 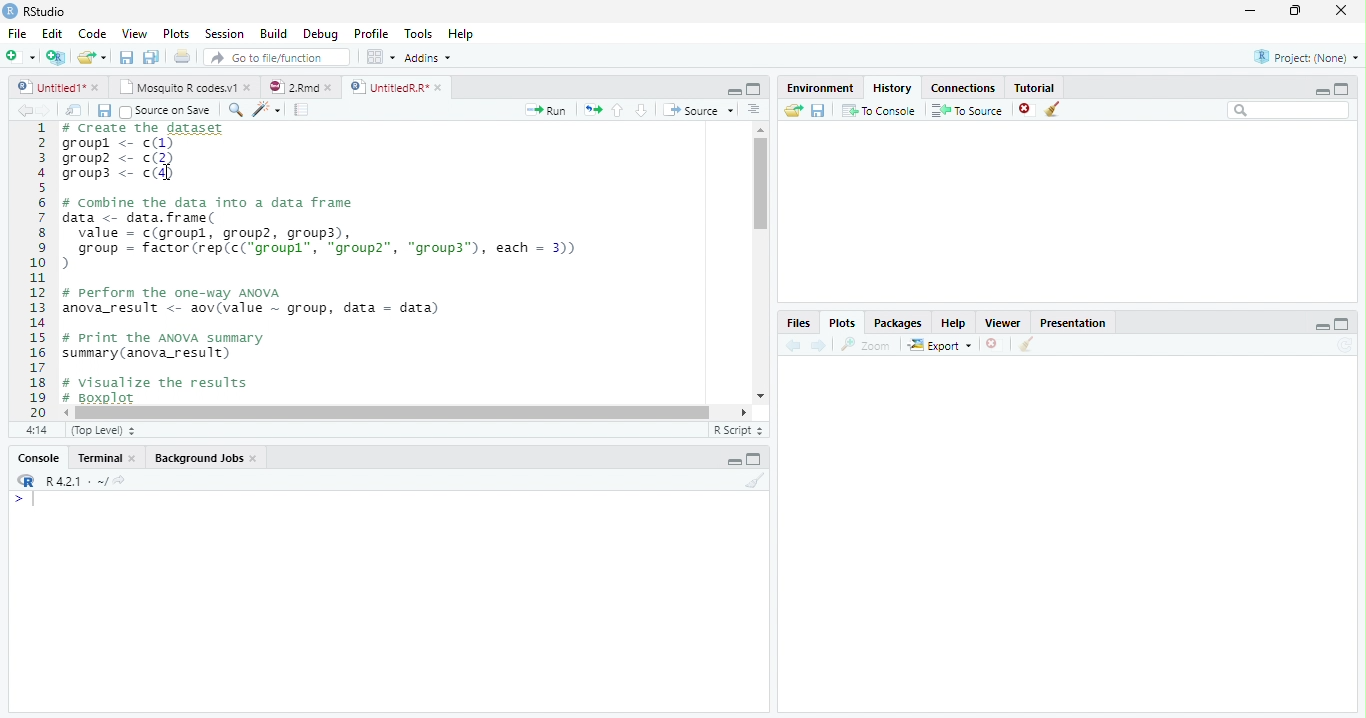 What do you see at coordinates (757, 264) in the screenshot?
I see `Scrollbar` at bounding box center [757, 264].